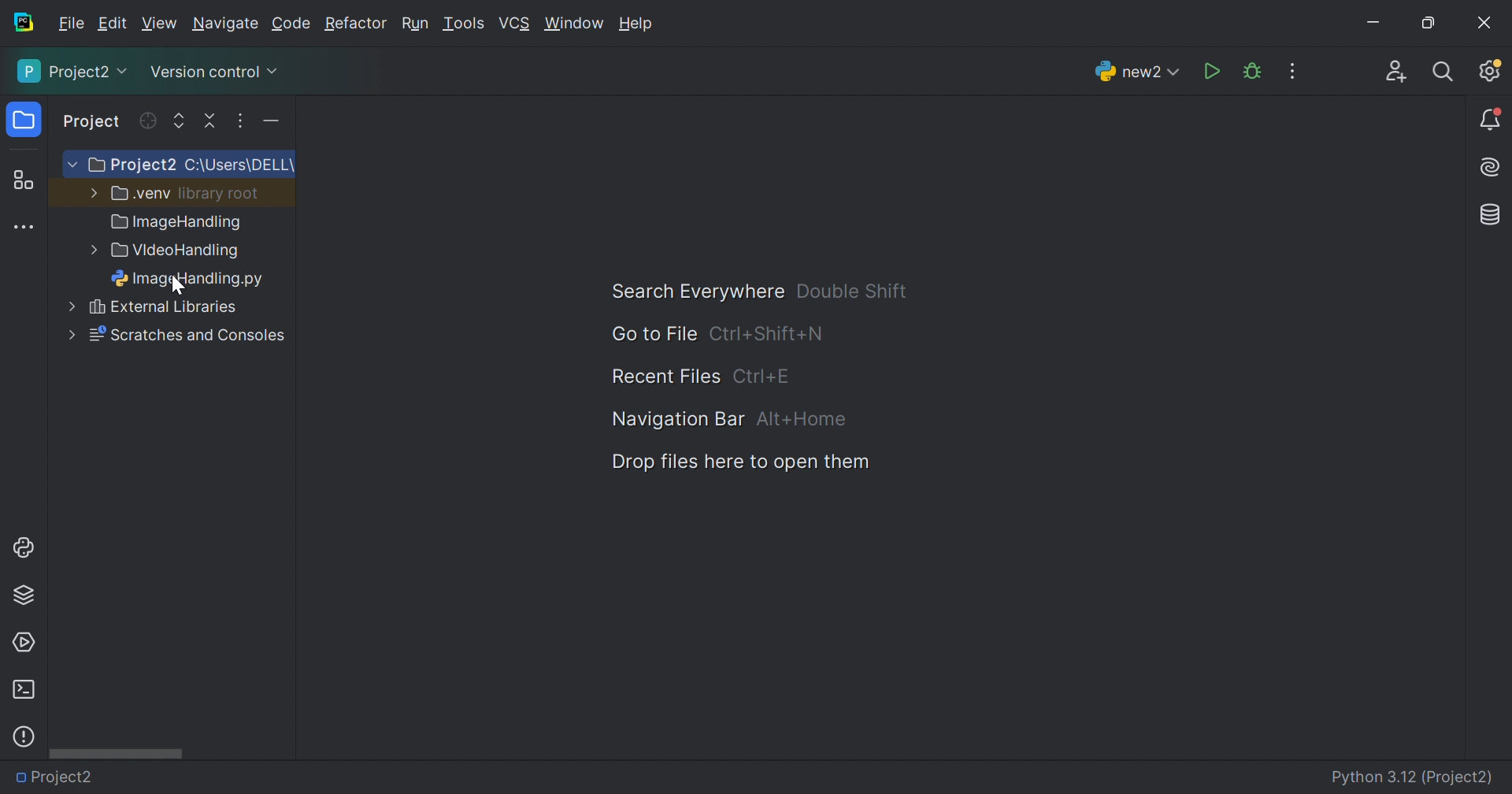  What do you see at coordinates (62, 777) in the screenshot?
I see `Project2` at bounding box center [62, 777].